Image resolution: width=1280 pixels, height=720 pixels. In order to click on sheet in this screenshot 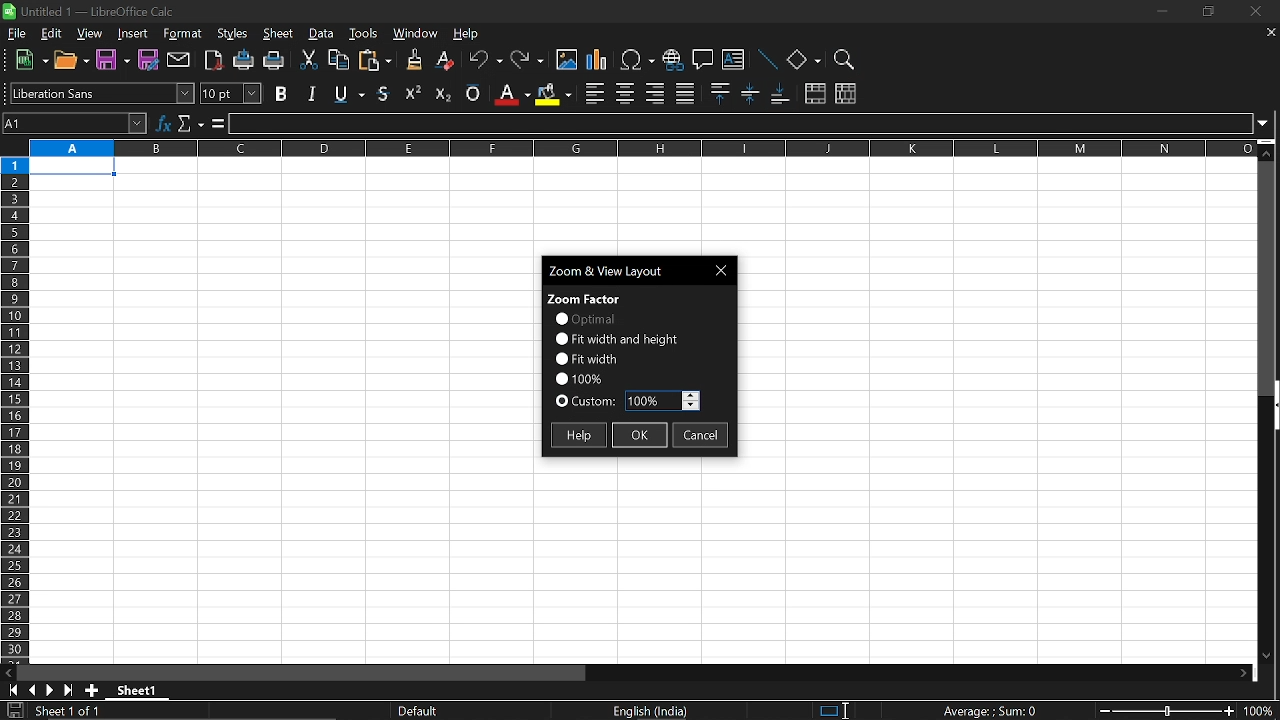, I will do `click(279, 35)`.